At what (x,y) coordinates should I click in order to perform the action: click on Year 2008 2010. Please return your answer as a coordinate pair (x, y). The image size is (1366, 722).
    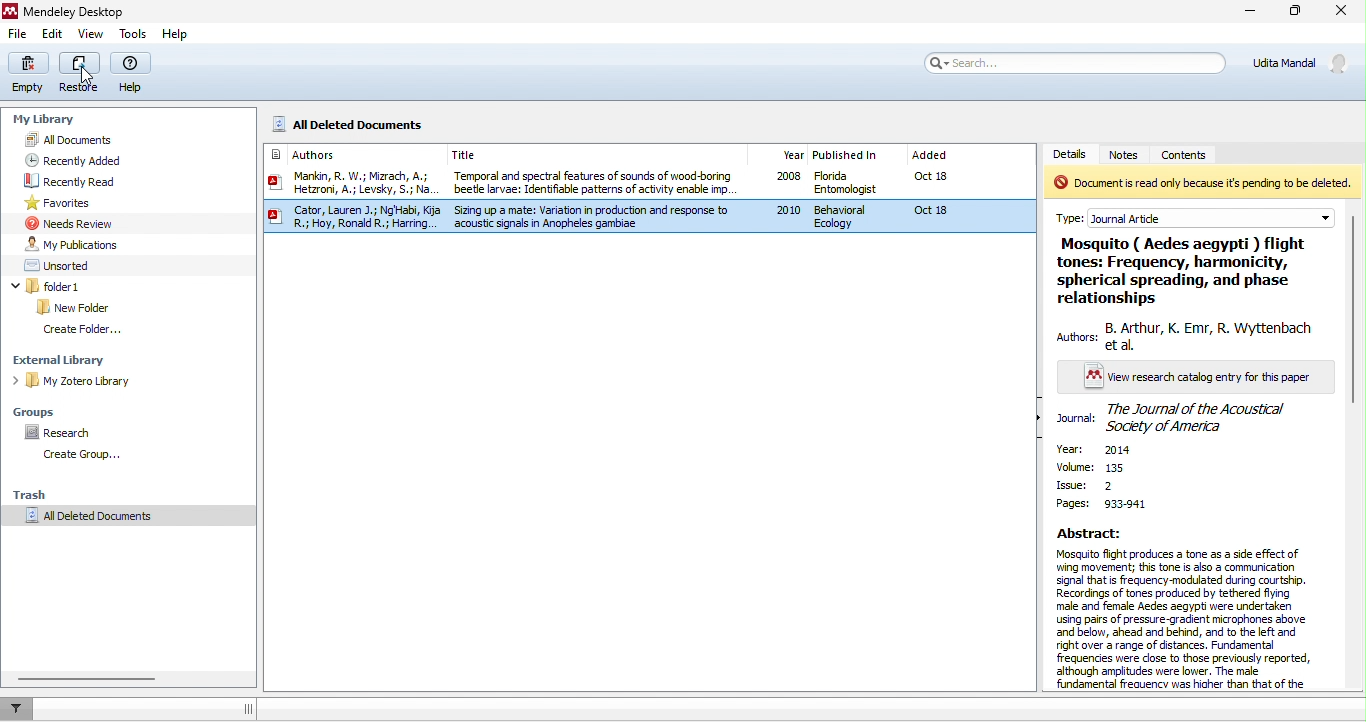
    Looking at the image, I should click on (783, 189).